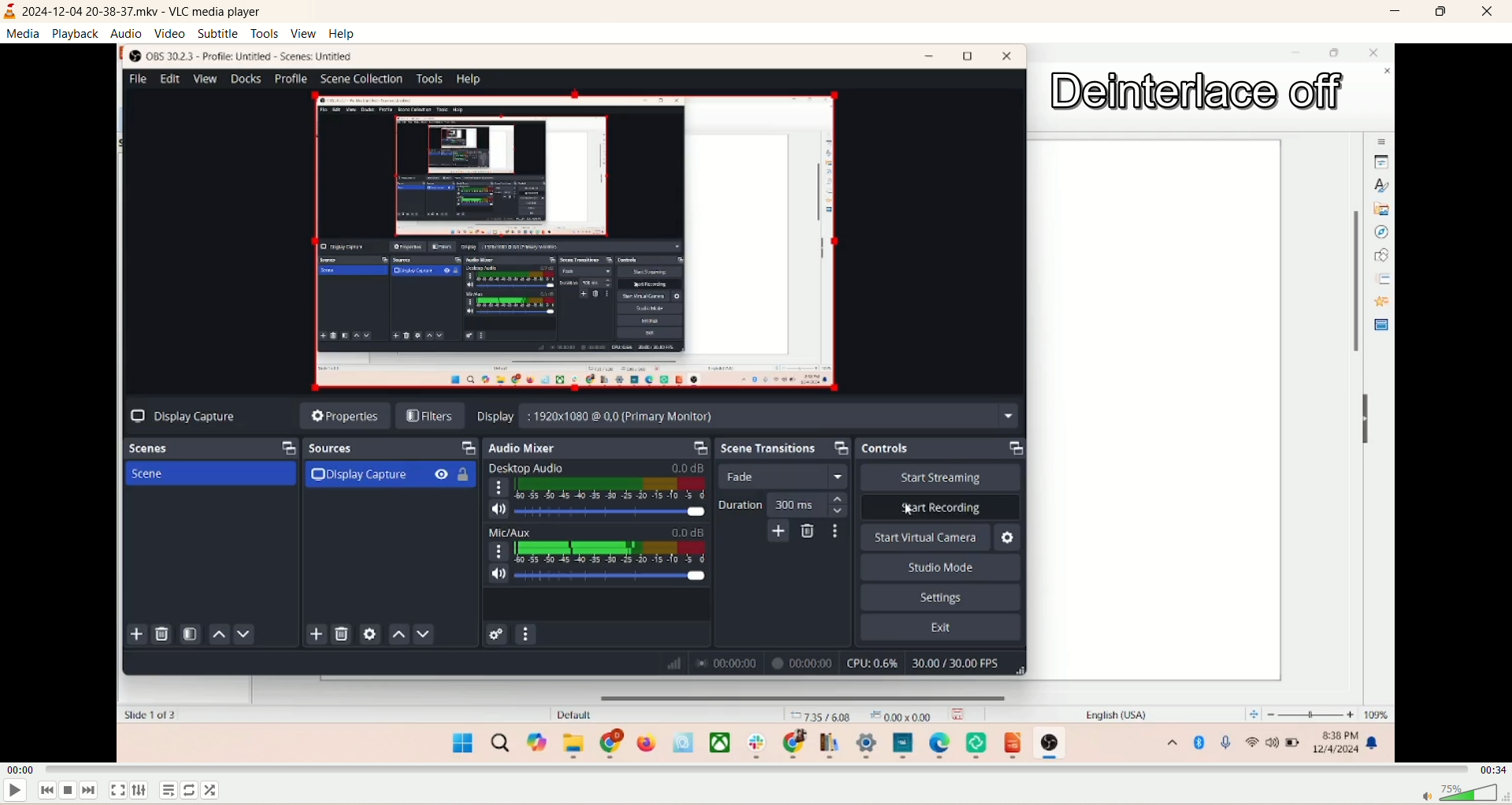 This screenshot has width=1512, height=805. What do you see at coordinates (755, 769) in the screenshot?
I see `progress bar` at bounding box center [755, 769].